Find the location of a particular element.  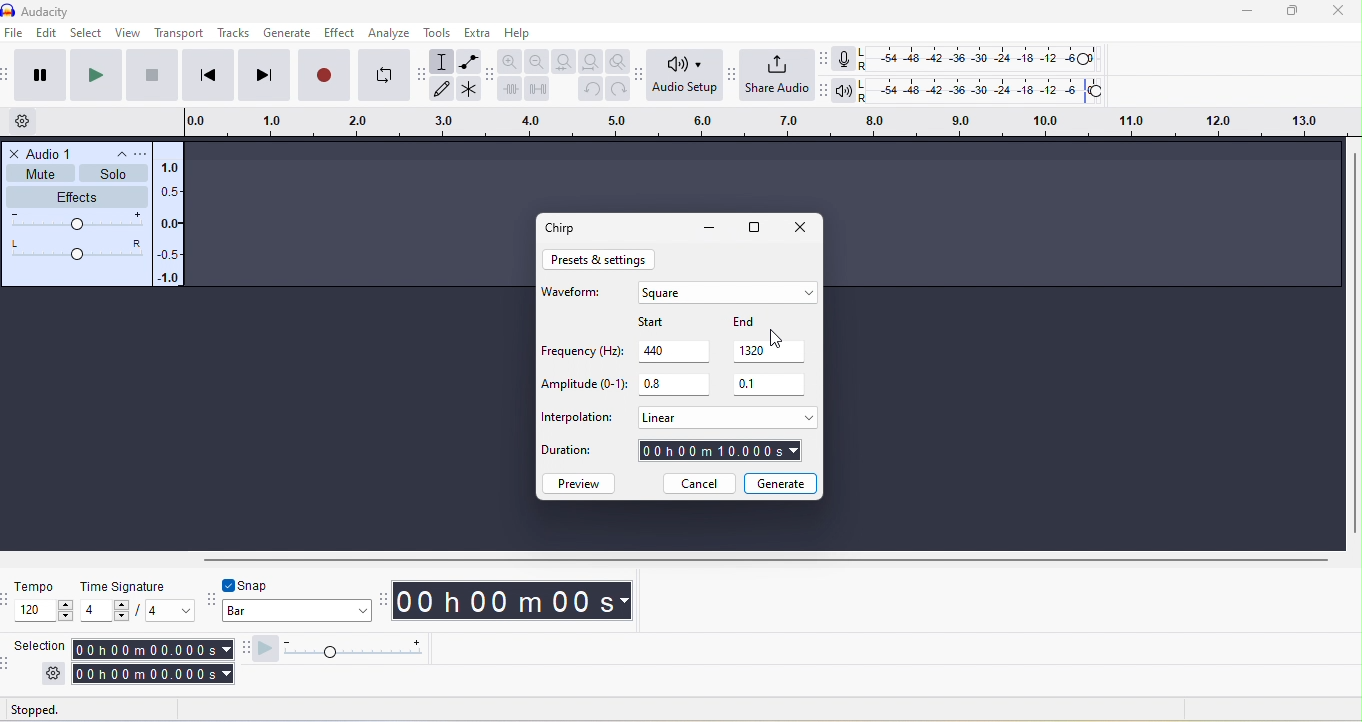

audacity snapping toolbar is located at coordinates (213, 597).